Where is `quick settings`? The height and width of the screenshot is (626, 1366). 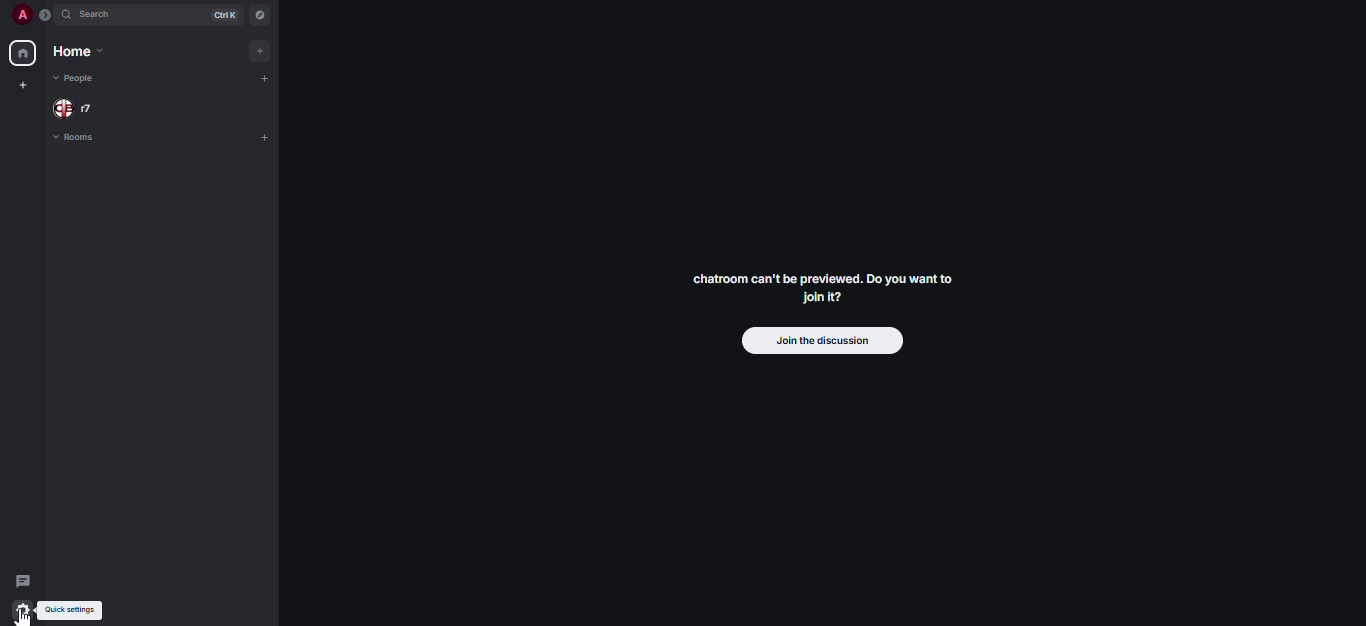
quick settings is located at coordinates (72, 610).